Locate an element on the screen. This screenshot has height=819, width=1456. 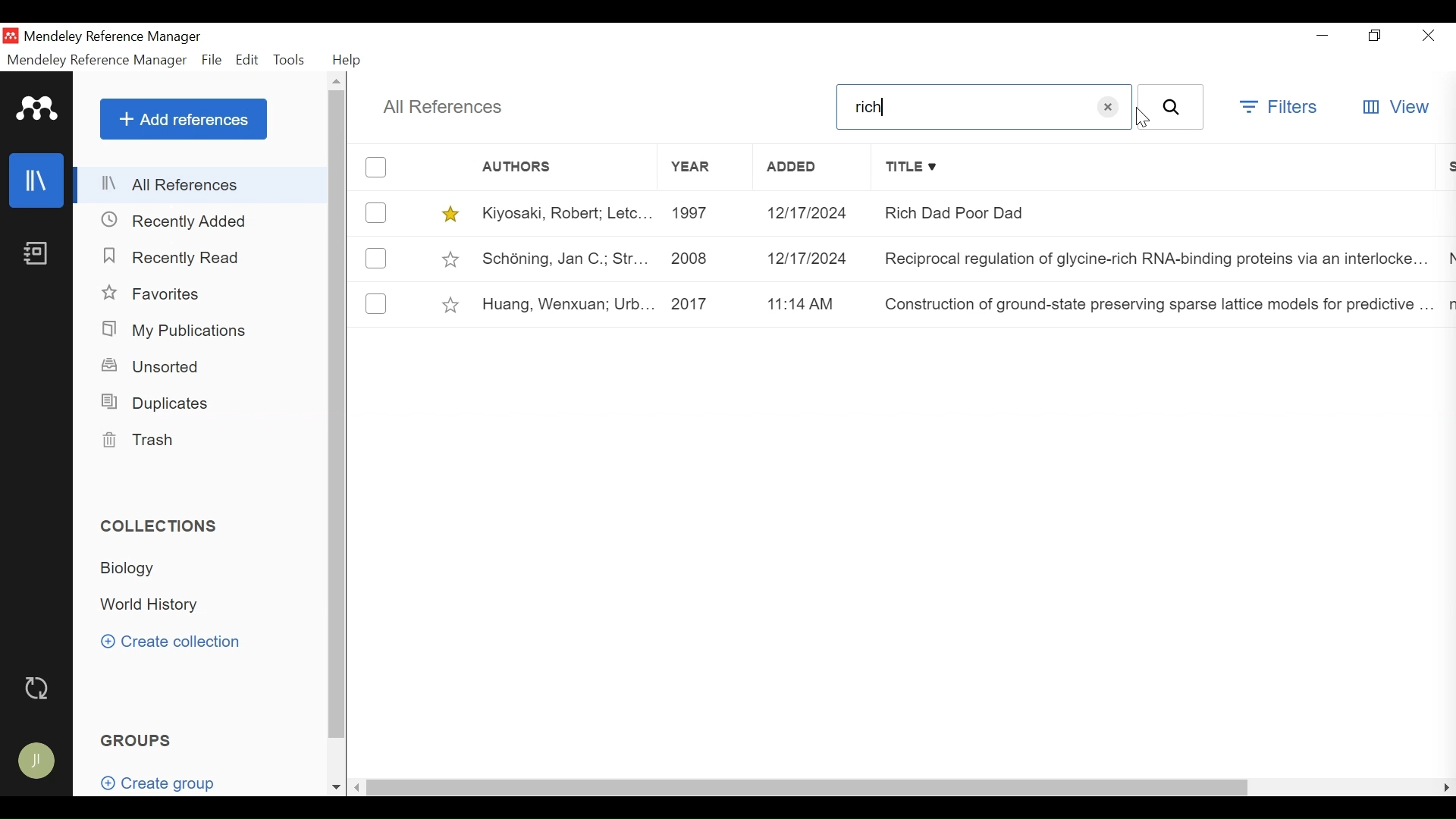
1997 is located at coordinates (701, 213).